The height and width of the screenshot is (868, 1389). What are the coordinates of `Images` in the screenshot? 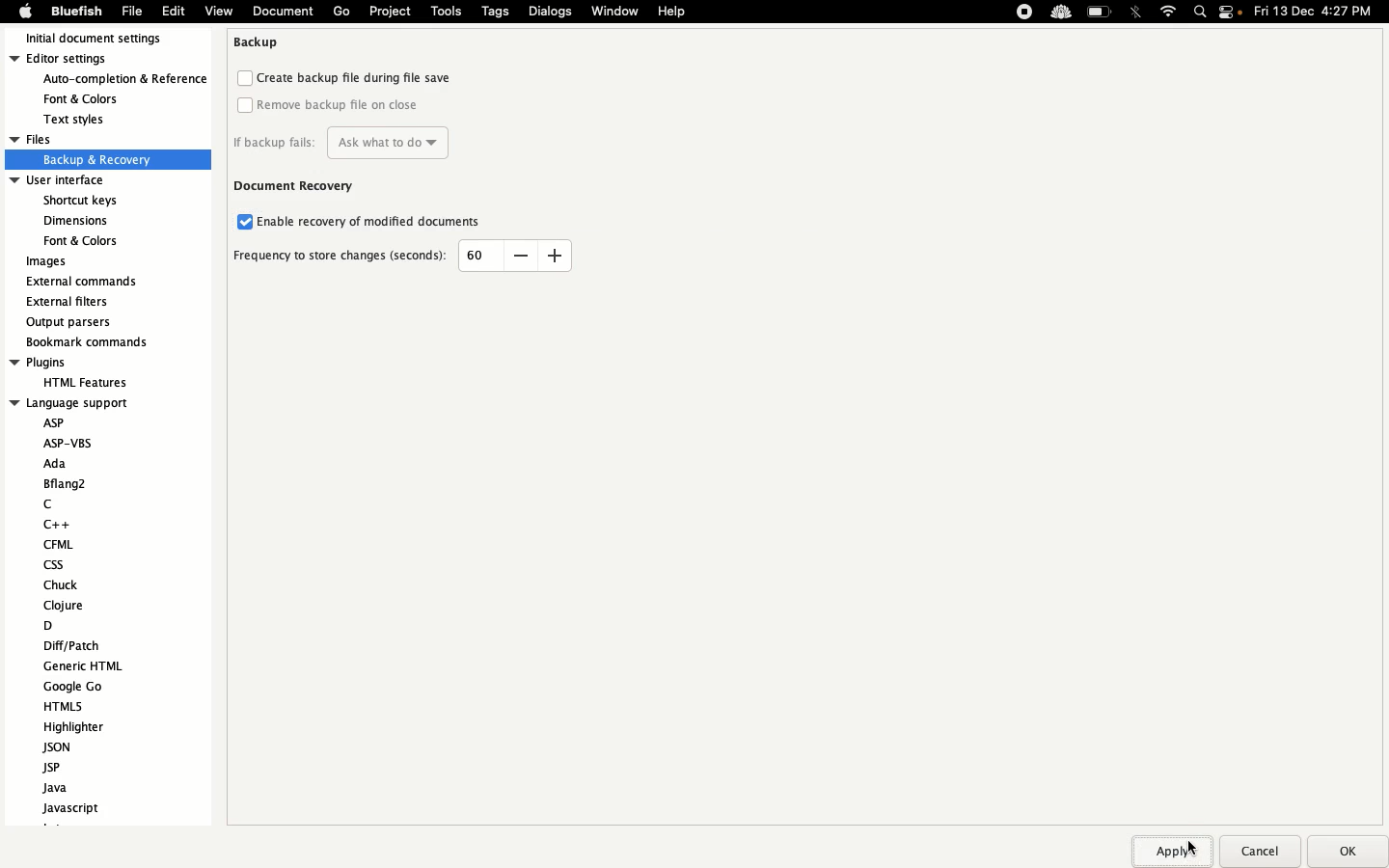 It's located at (49, 262).